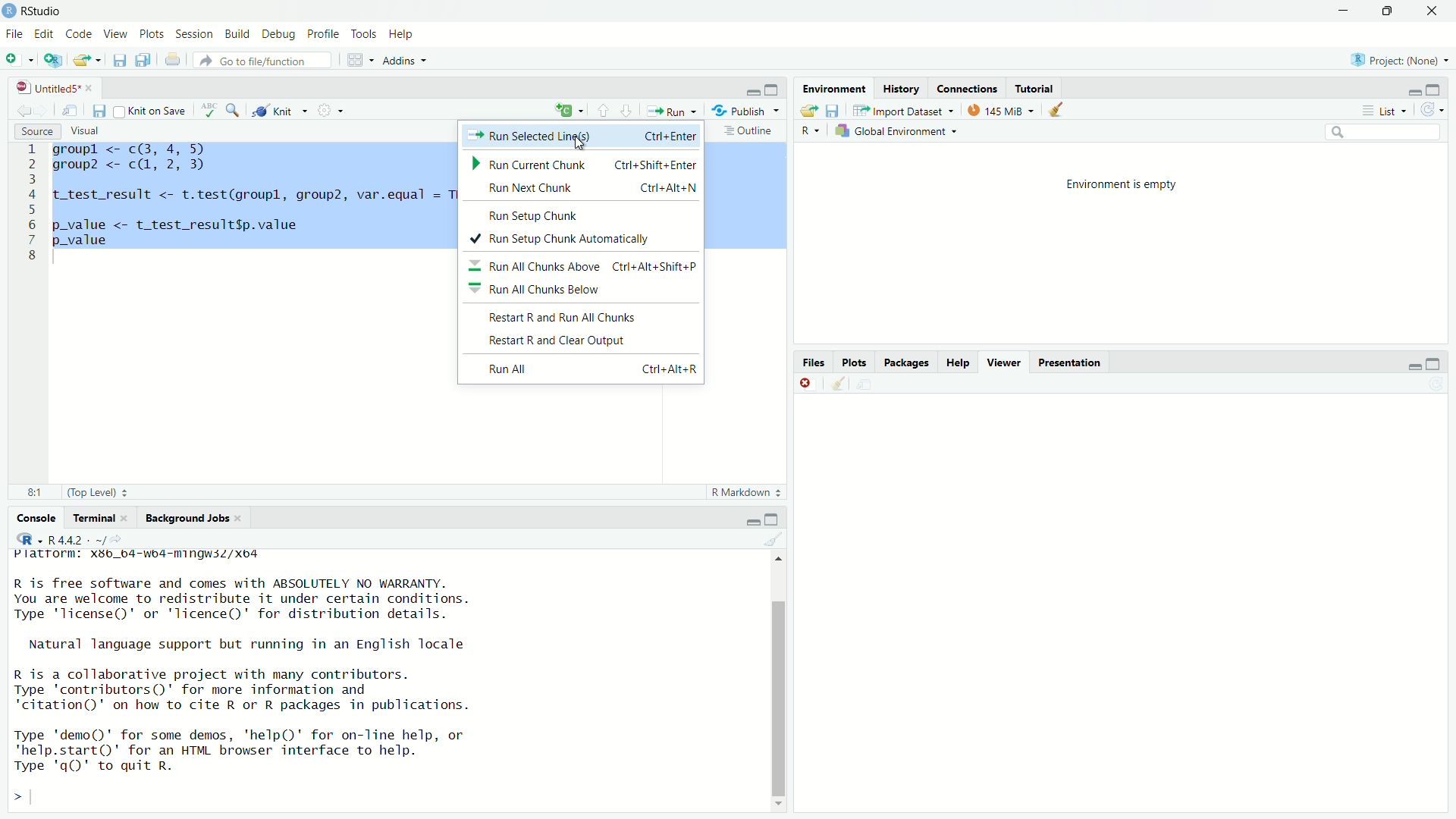 The image size is (1456, 819). I want to click on cursor, so click(584, 145).